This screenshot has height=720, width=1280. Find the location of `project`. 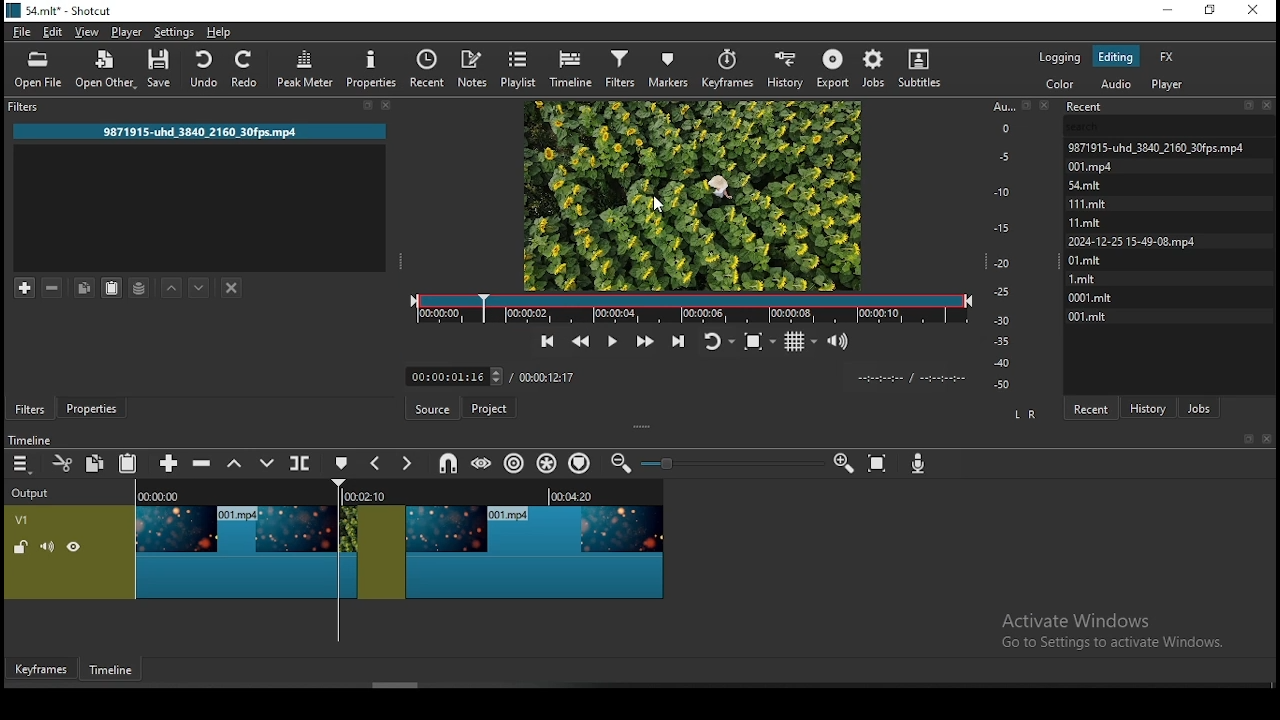

project is located at coordinates (488, 410).